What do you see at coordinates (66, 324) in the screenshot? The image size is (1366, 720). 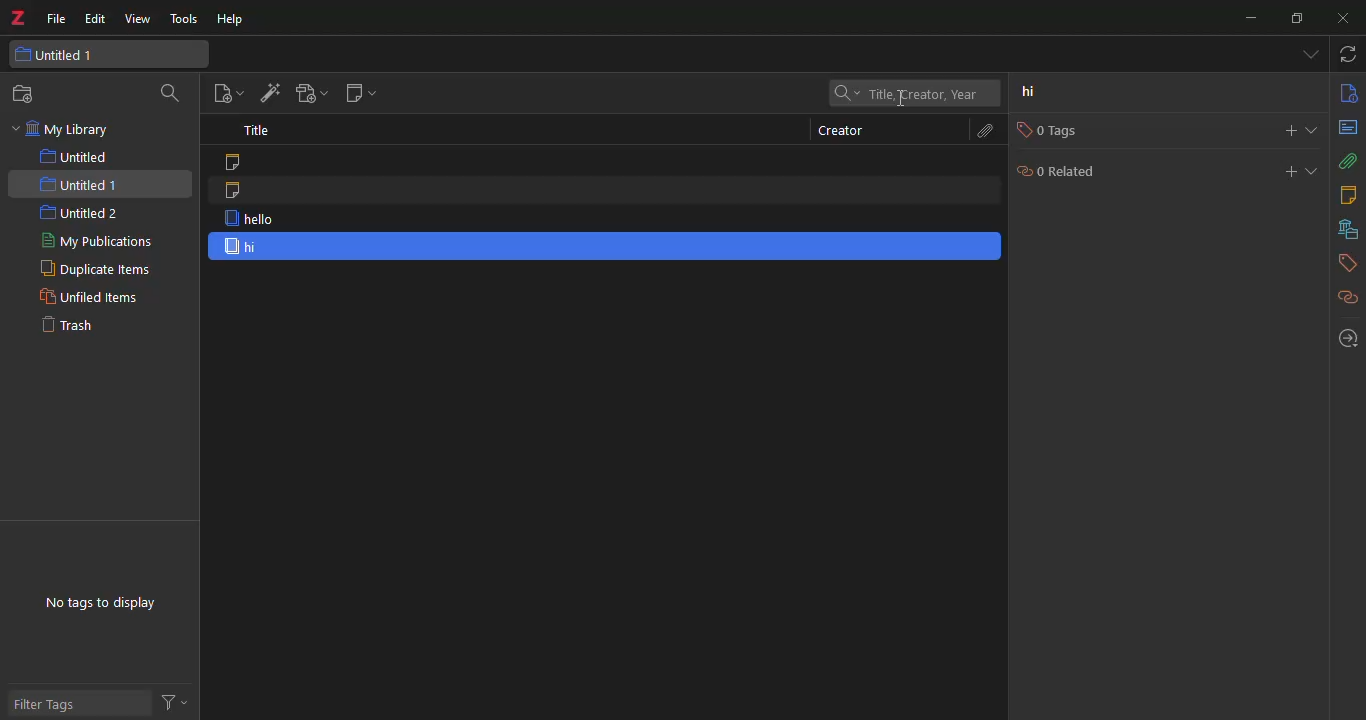 I see `trash` at bounding box center [66, 324].